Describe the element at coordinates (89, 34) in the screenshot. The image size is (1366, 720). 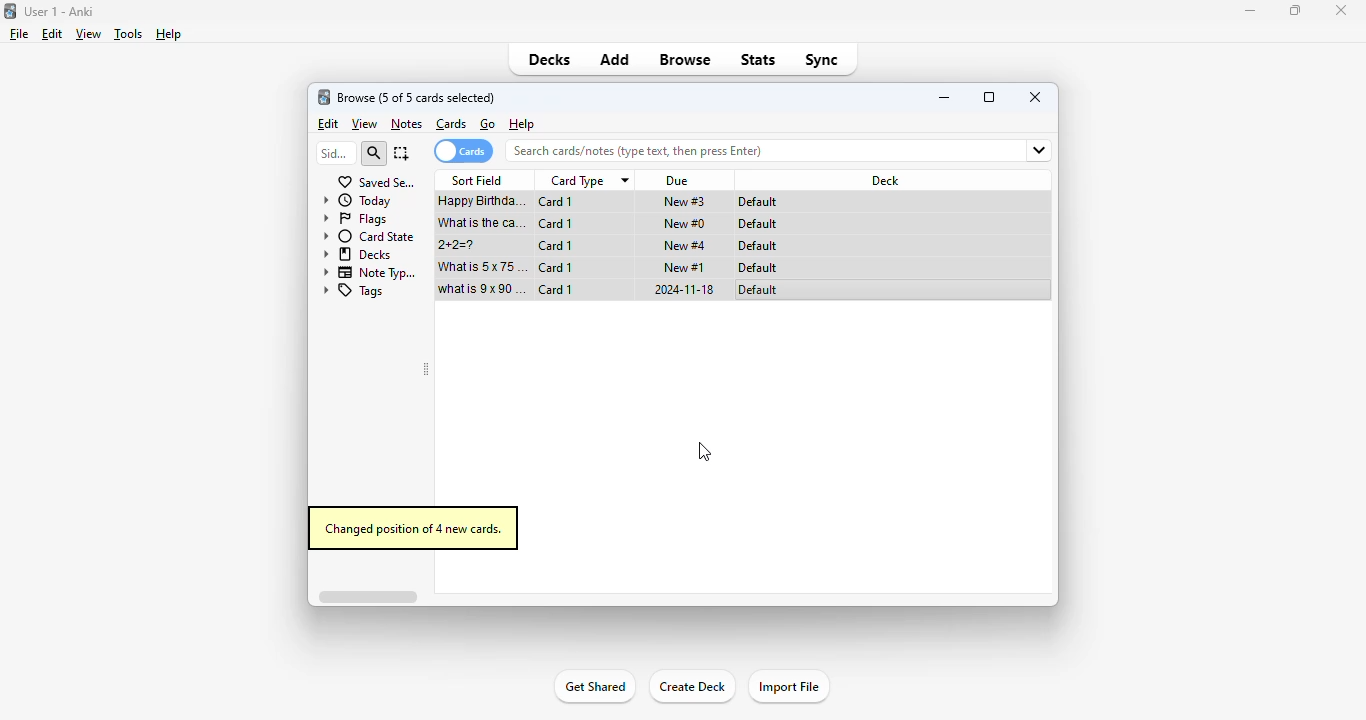
I see `view` at that location.